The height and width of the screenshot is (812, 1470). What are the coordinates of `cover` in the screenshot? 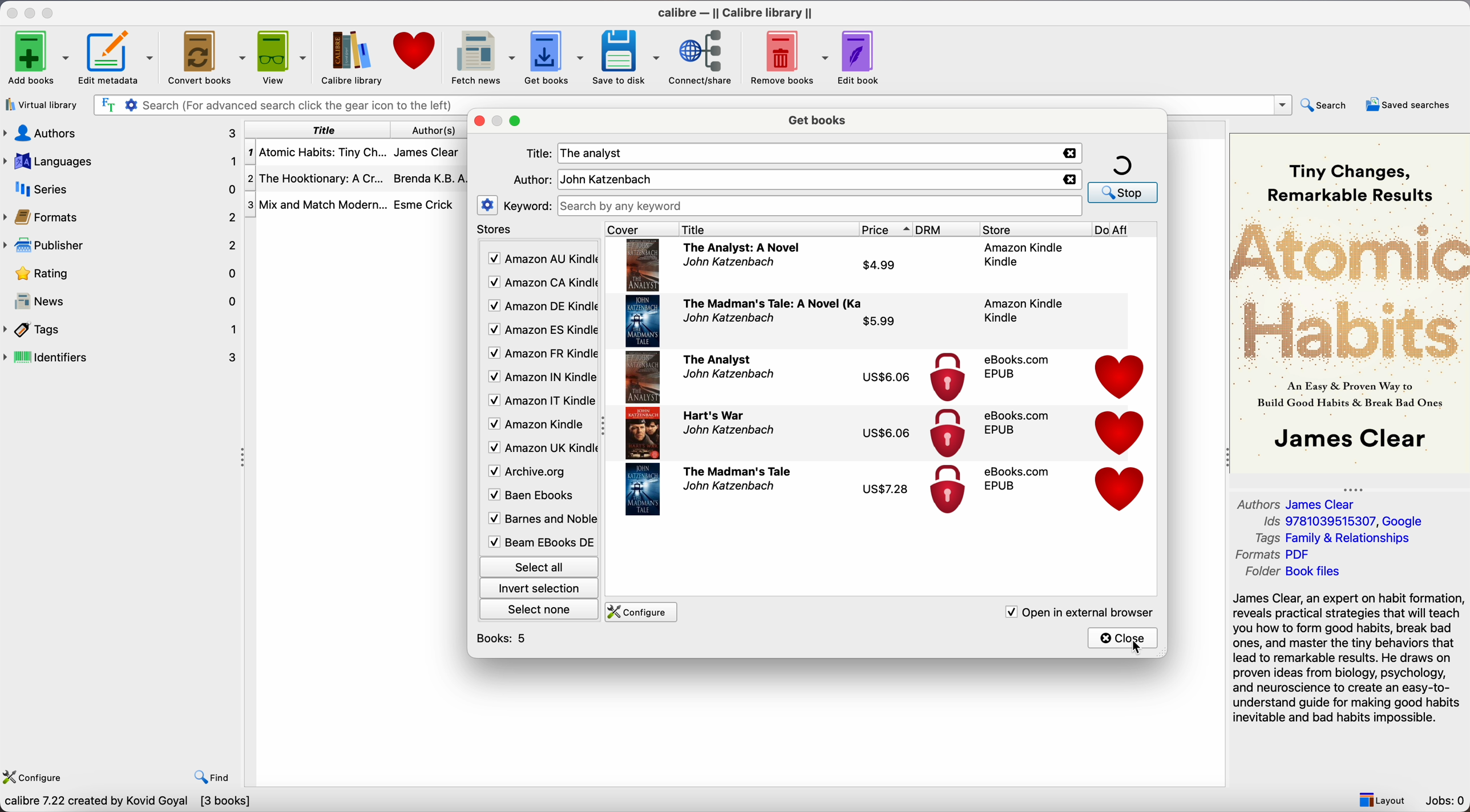 It's located at (637, 229).